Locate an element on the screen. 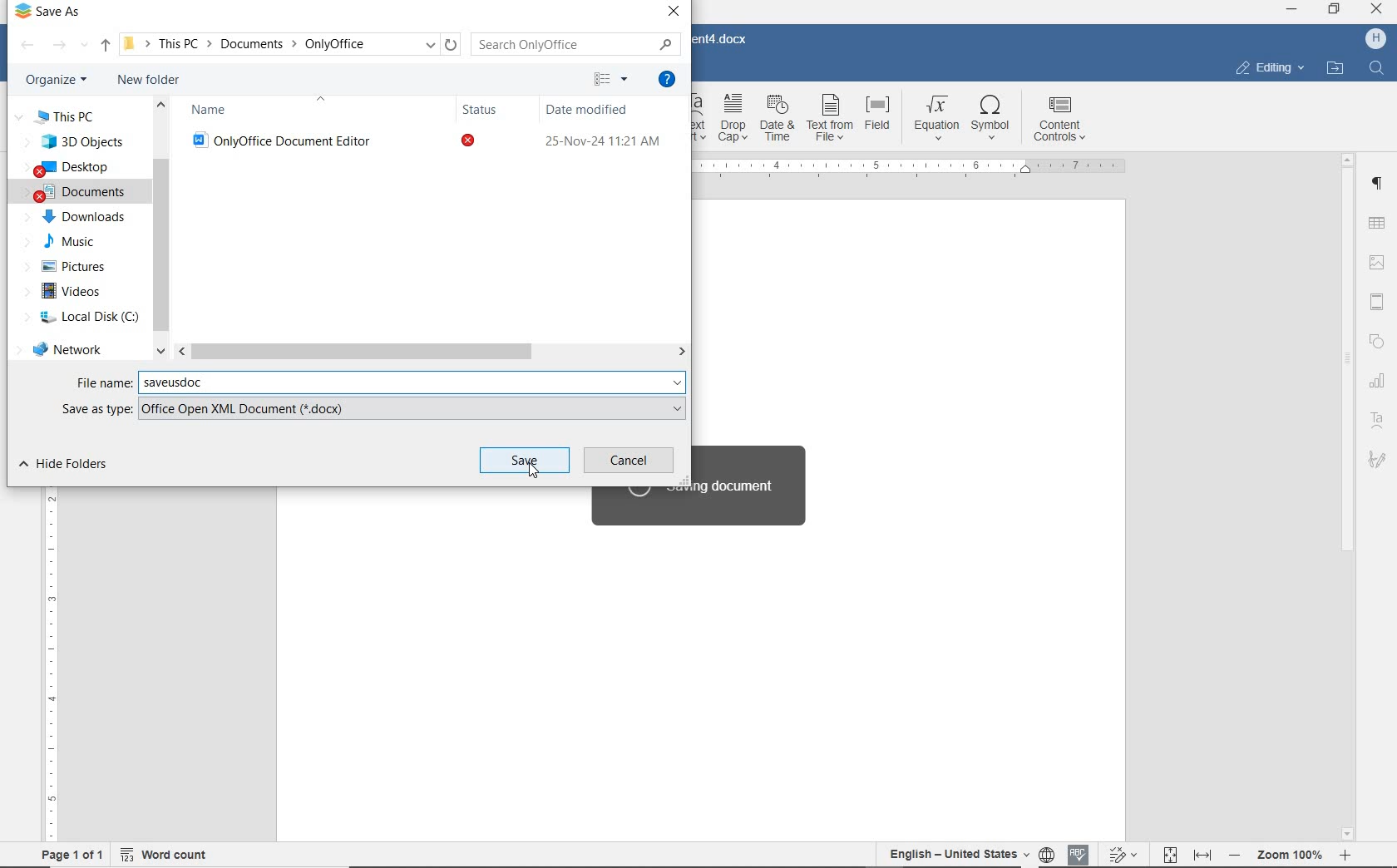 The height and width of the screenshot is (868, 1397). insert table is located at coordinates (1378, 223).